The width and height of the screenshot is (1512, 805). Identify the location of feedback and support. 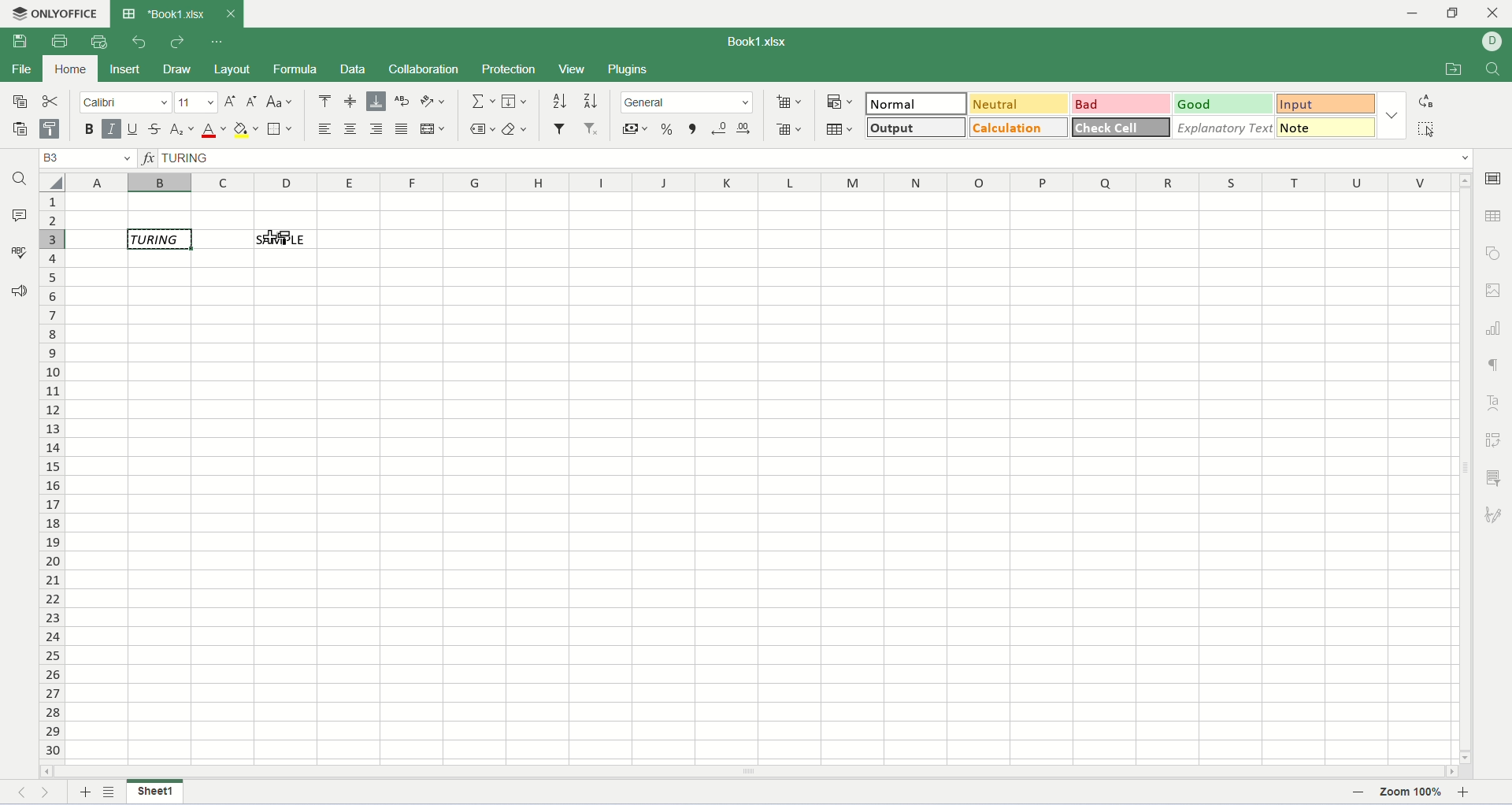
(20, 295).